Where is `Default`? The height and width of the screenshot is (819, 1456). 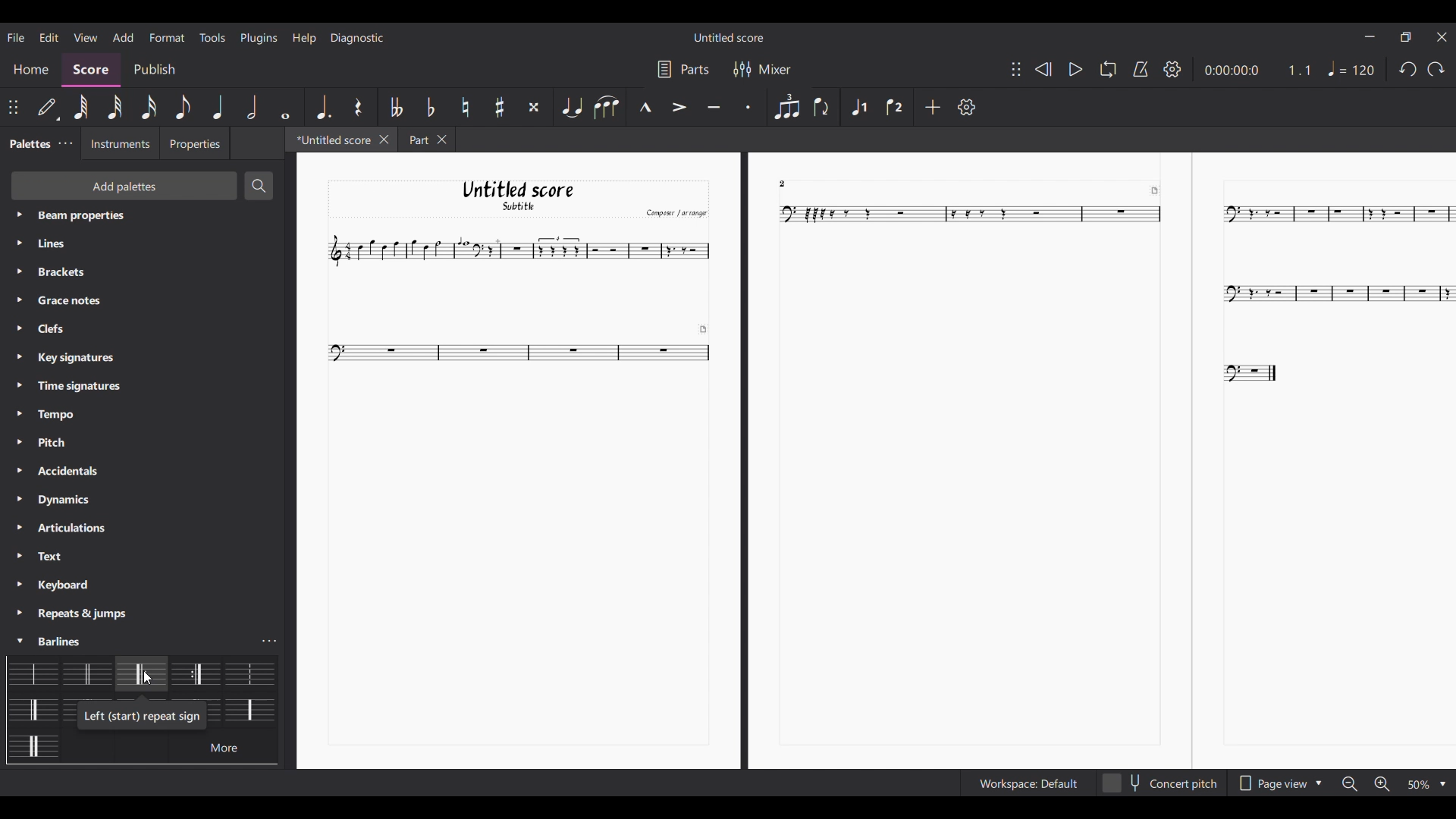
Default is located at coordinates (48, 108).